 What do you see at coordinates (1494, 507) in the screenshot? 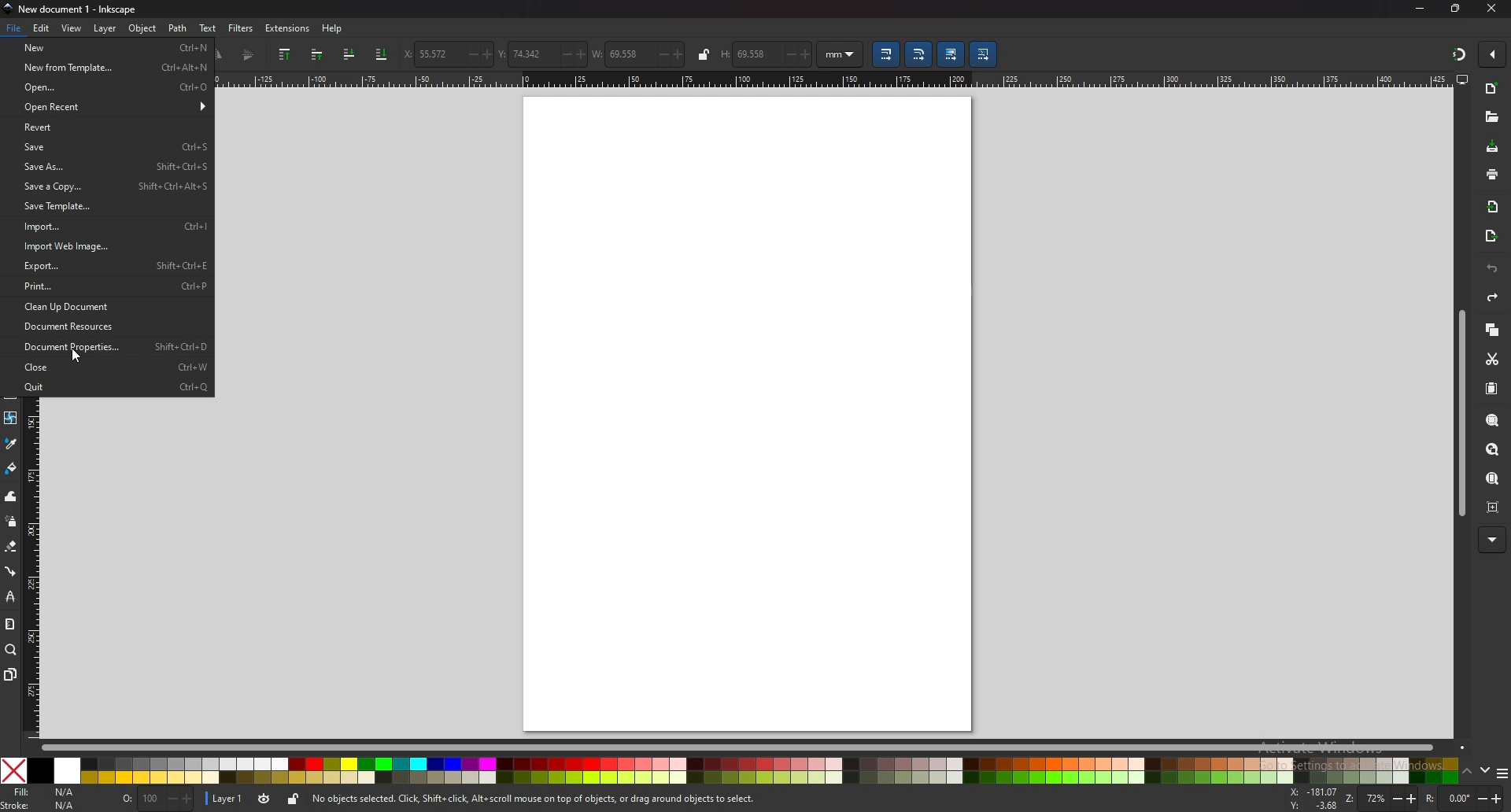
I see `zoom centre page` at bounding box center [1494, 507].